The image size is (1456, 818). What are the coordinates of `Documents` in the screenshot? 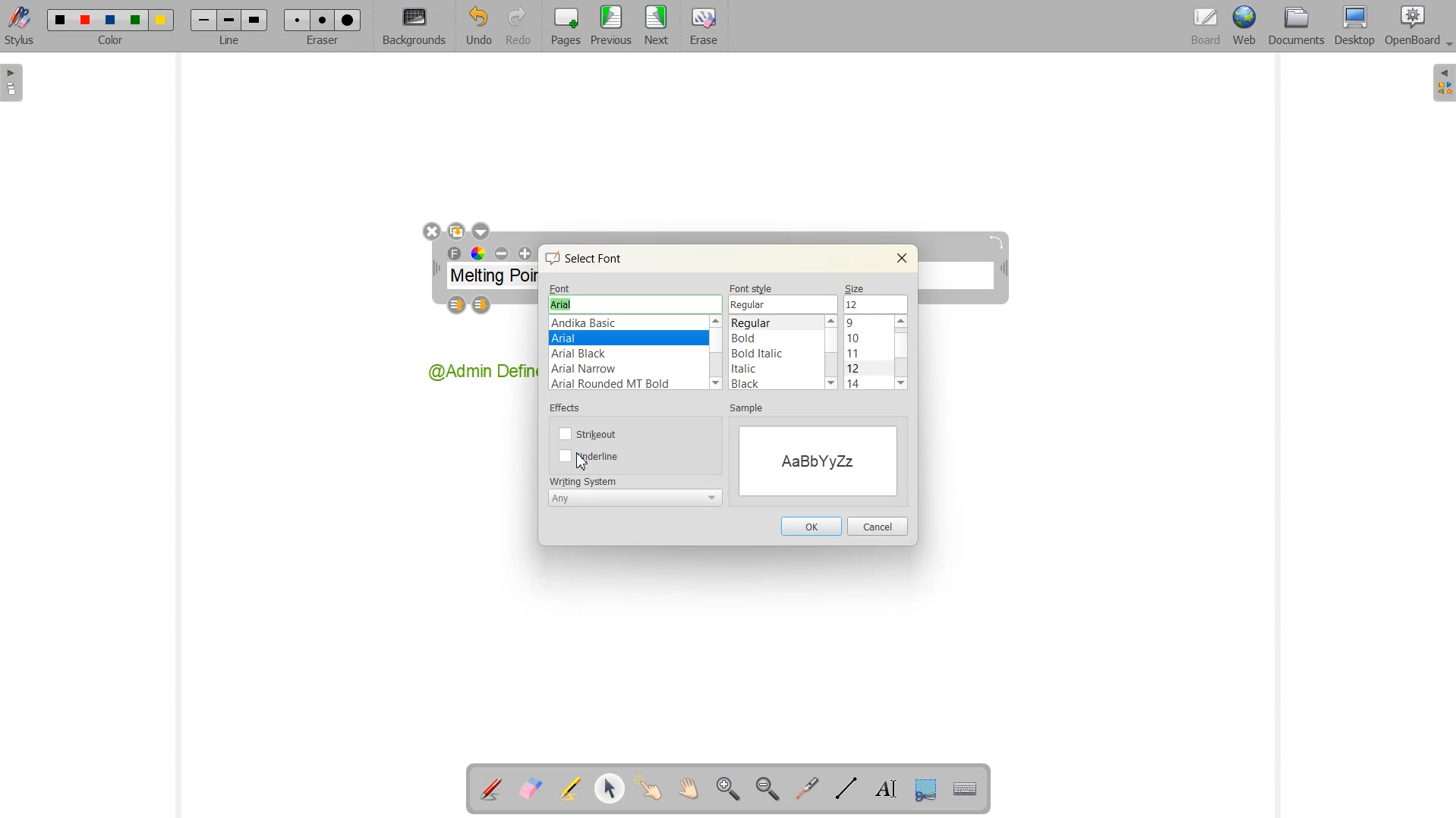 It's located at (1296, 27).